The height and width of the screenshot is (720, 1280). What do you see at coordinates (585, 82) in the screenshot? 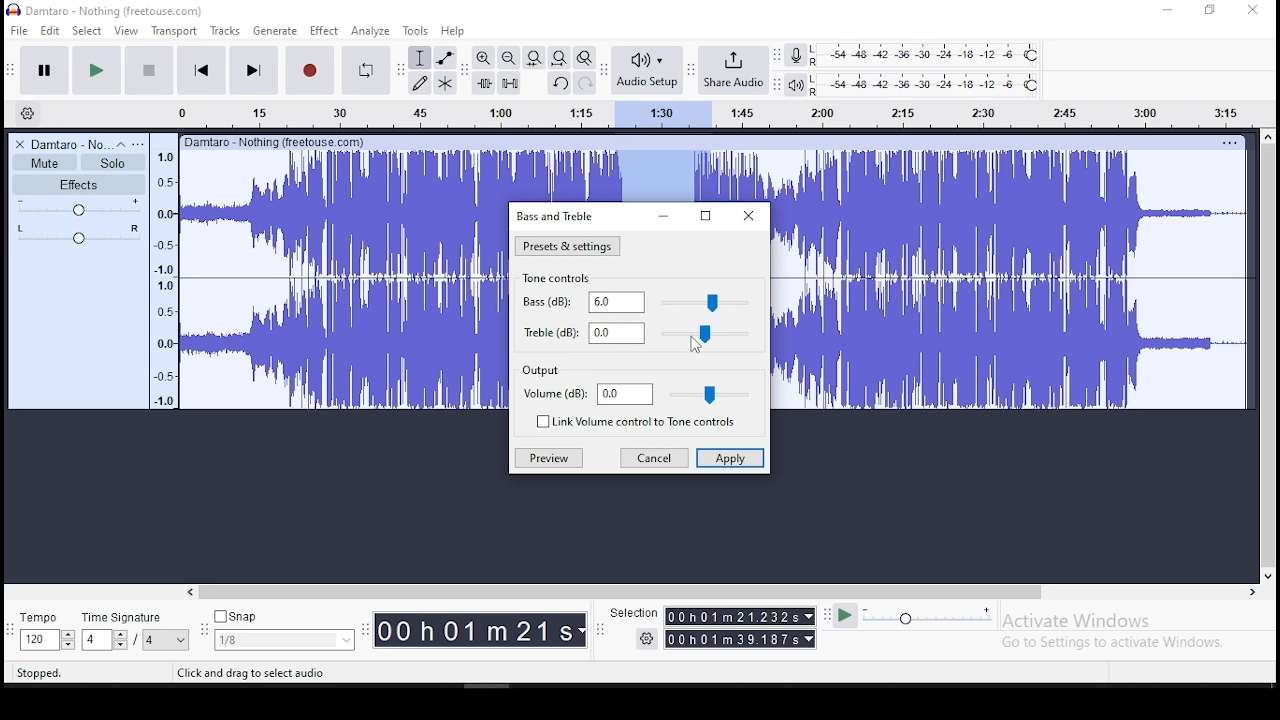
I see `redo` at bounding box center [585, 82].